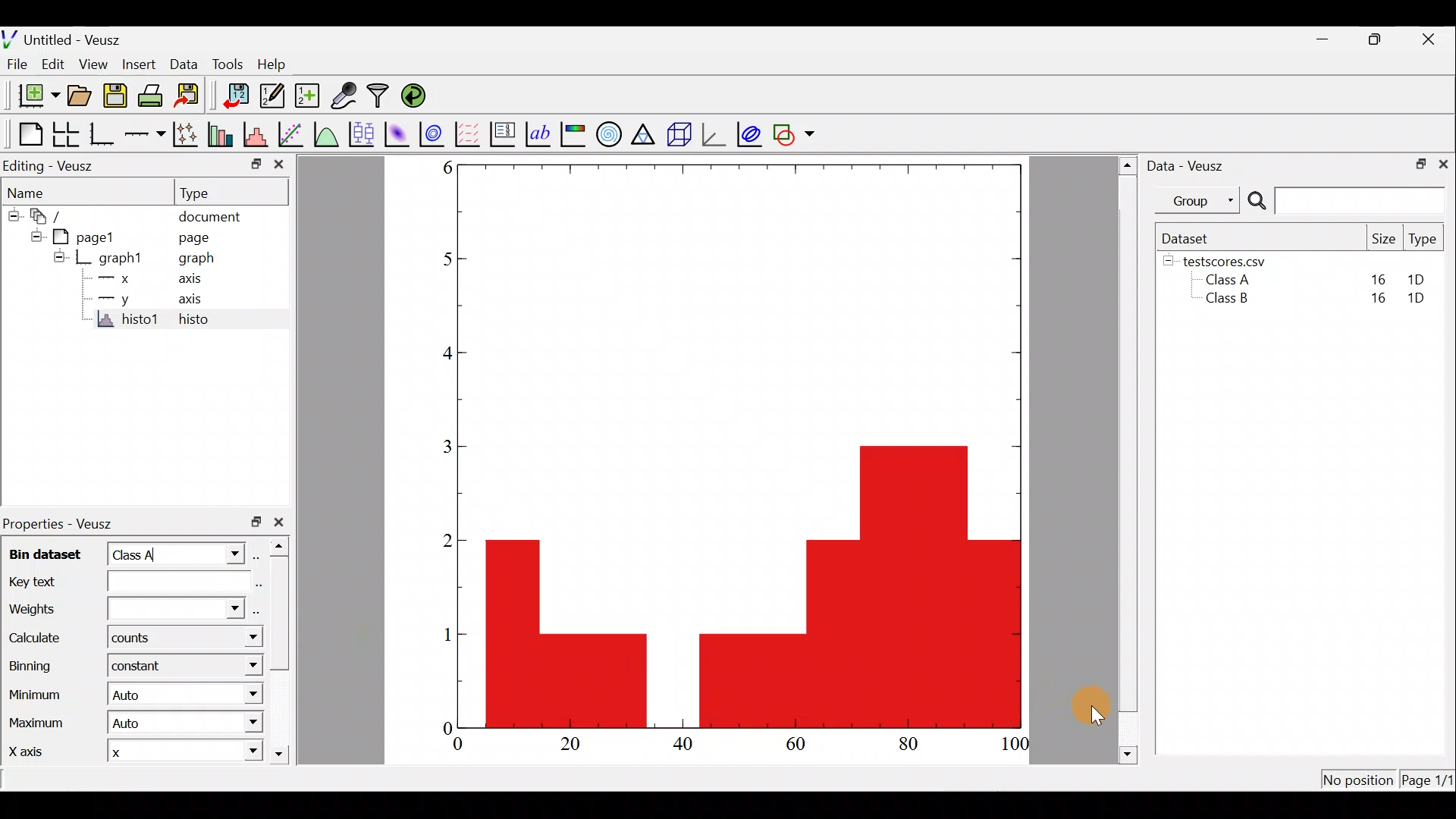  I want to click on Plot a 2d dataset as contours, so click(434, 134).